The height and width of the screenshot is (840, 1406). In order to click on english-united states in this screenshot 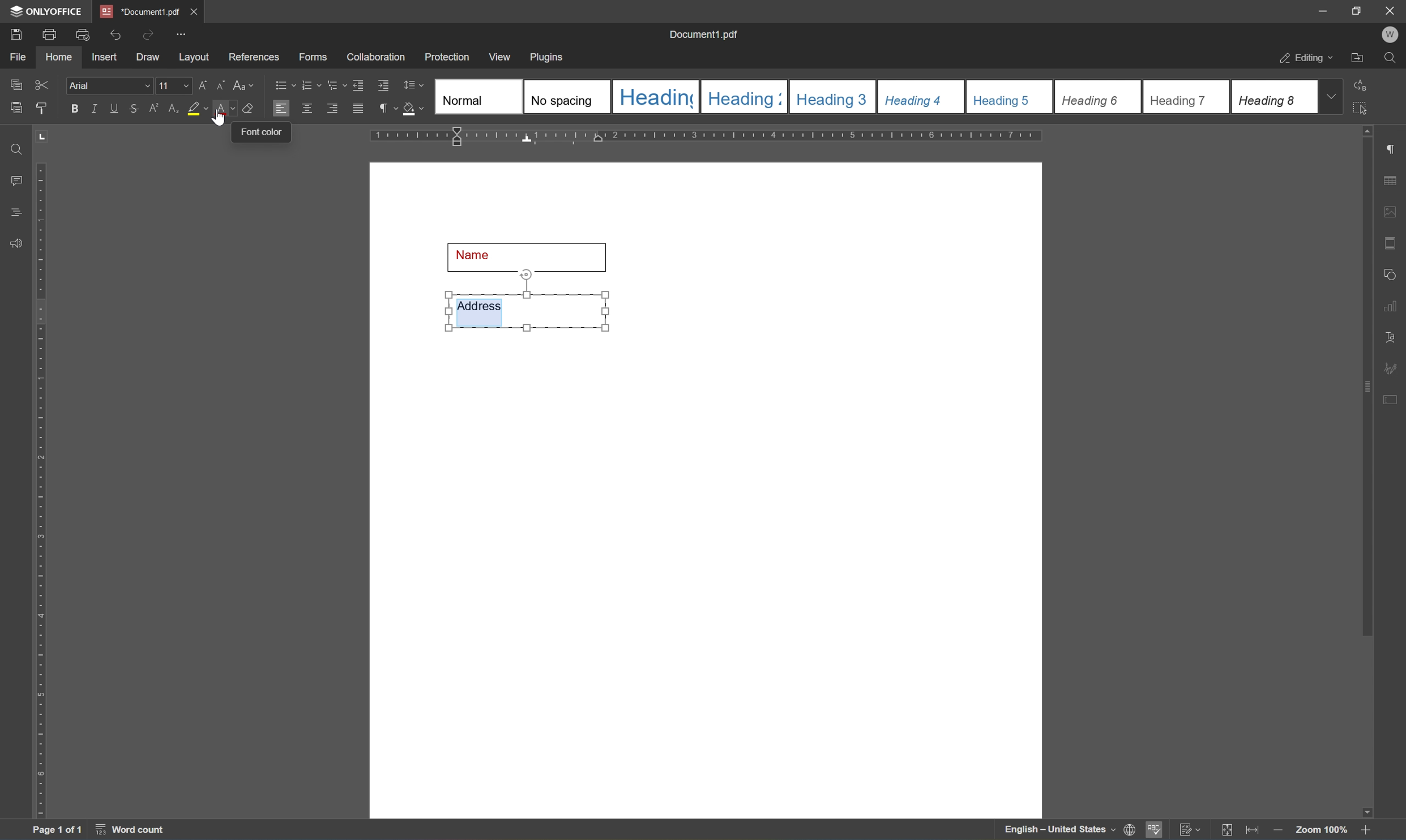, I will do `click(1061, 832)`.